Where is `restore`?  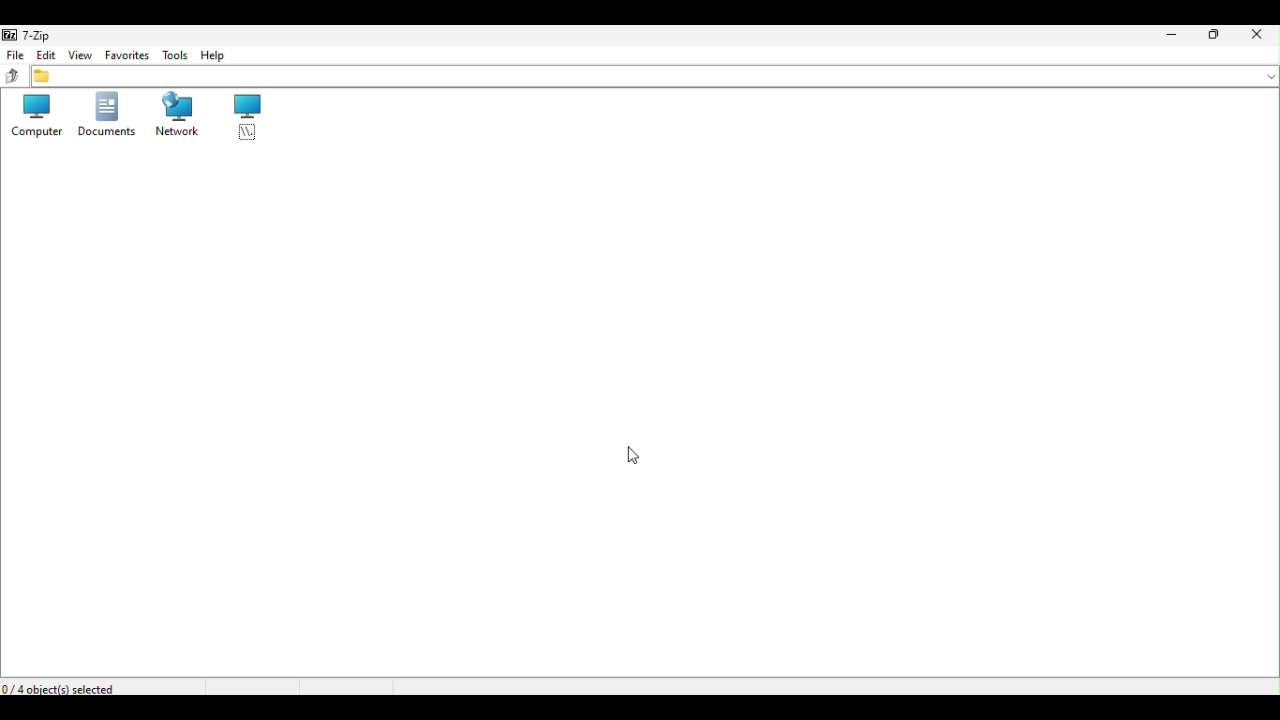
restore is located at coordinates (1218, 35).